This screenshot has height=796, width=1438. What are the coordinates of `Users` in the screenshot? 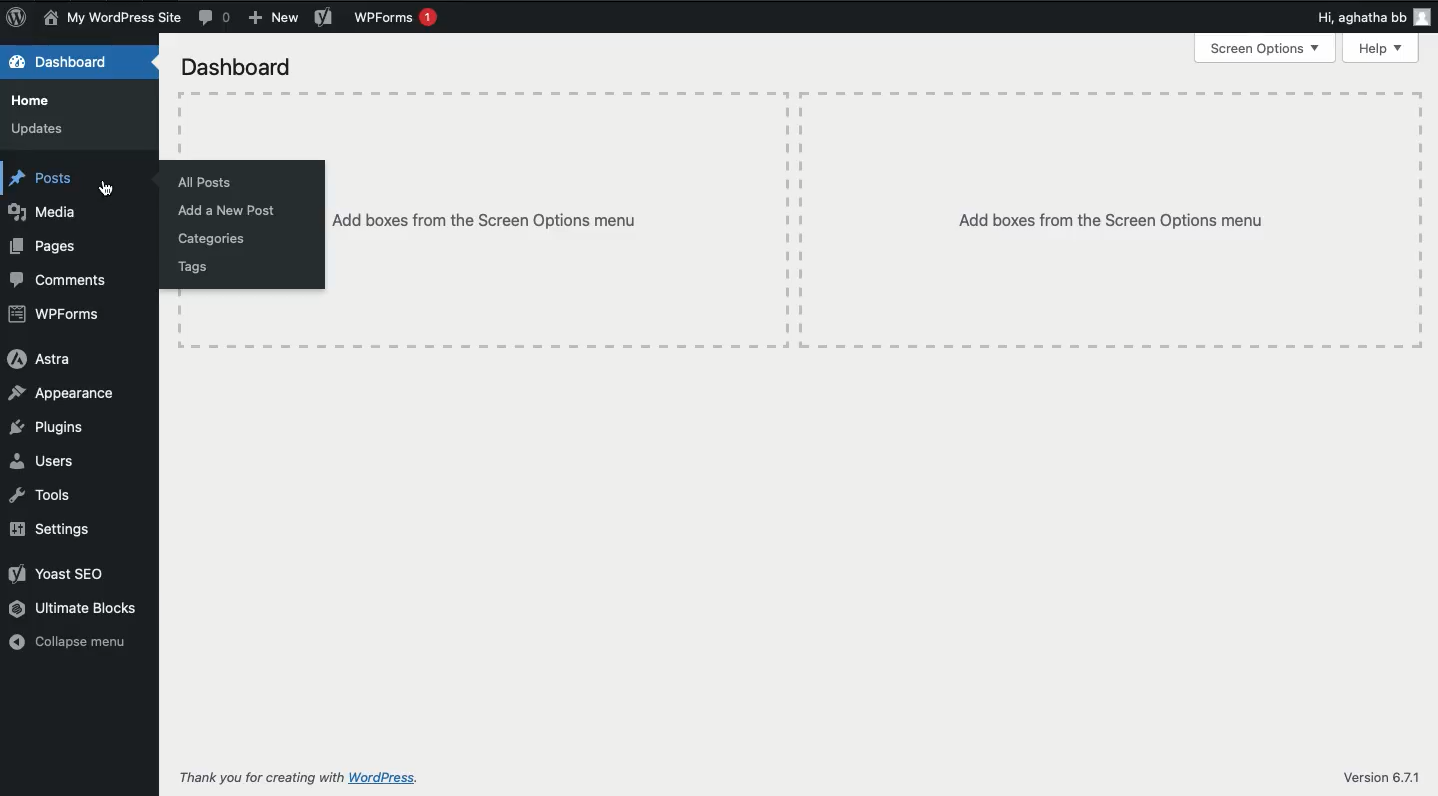 It's located at (45, 462).